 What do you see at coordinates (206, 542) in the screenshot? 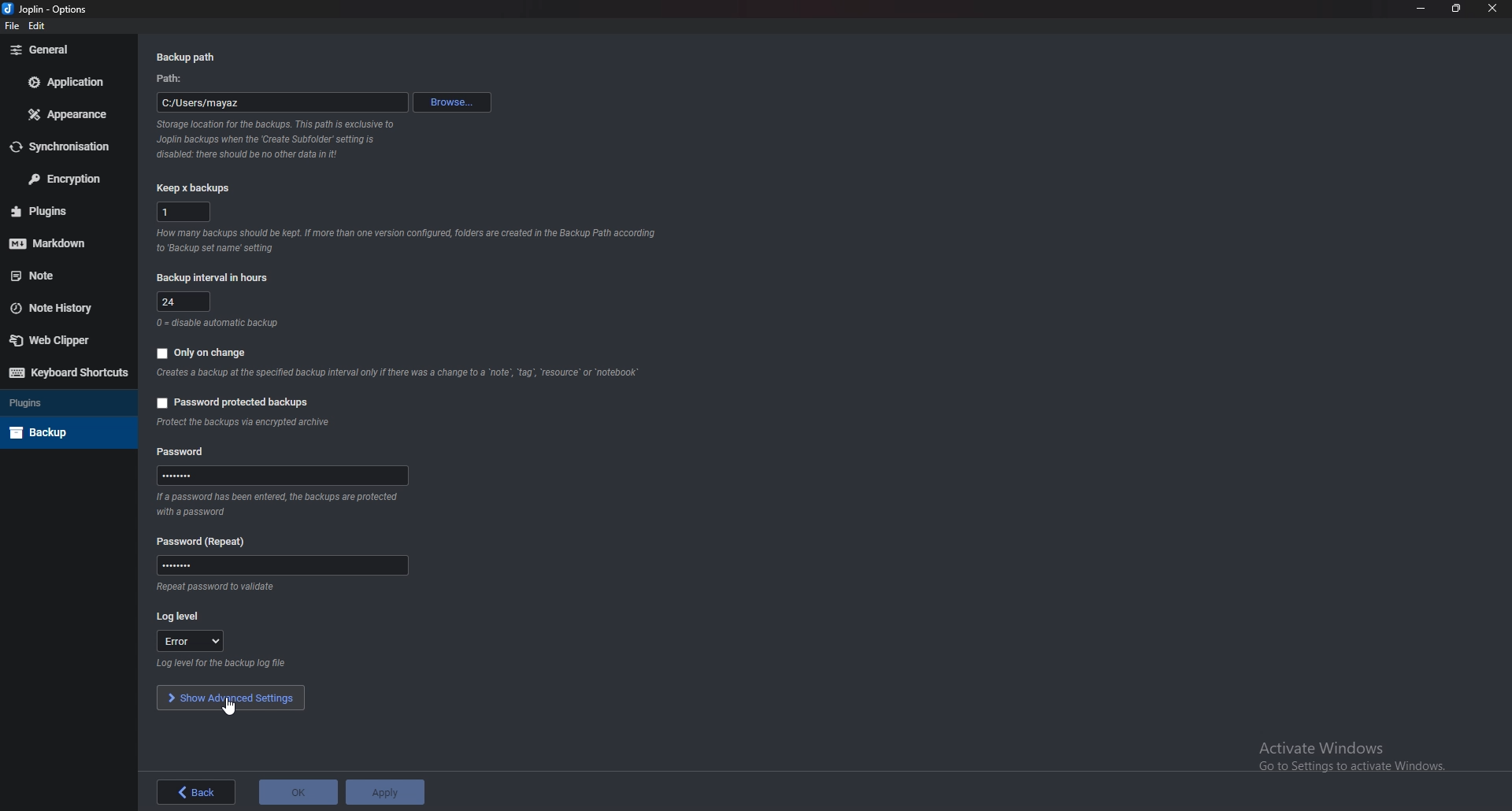
I see `Password (repeat)` at bounding box center [206, 542].